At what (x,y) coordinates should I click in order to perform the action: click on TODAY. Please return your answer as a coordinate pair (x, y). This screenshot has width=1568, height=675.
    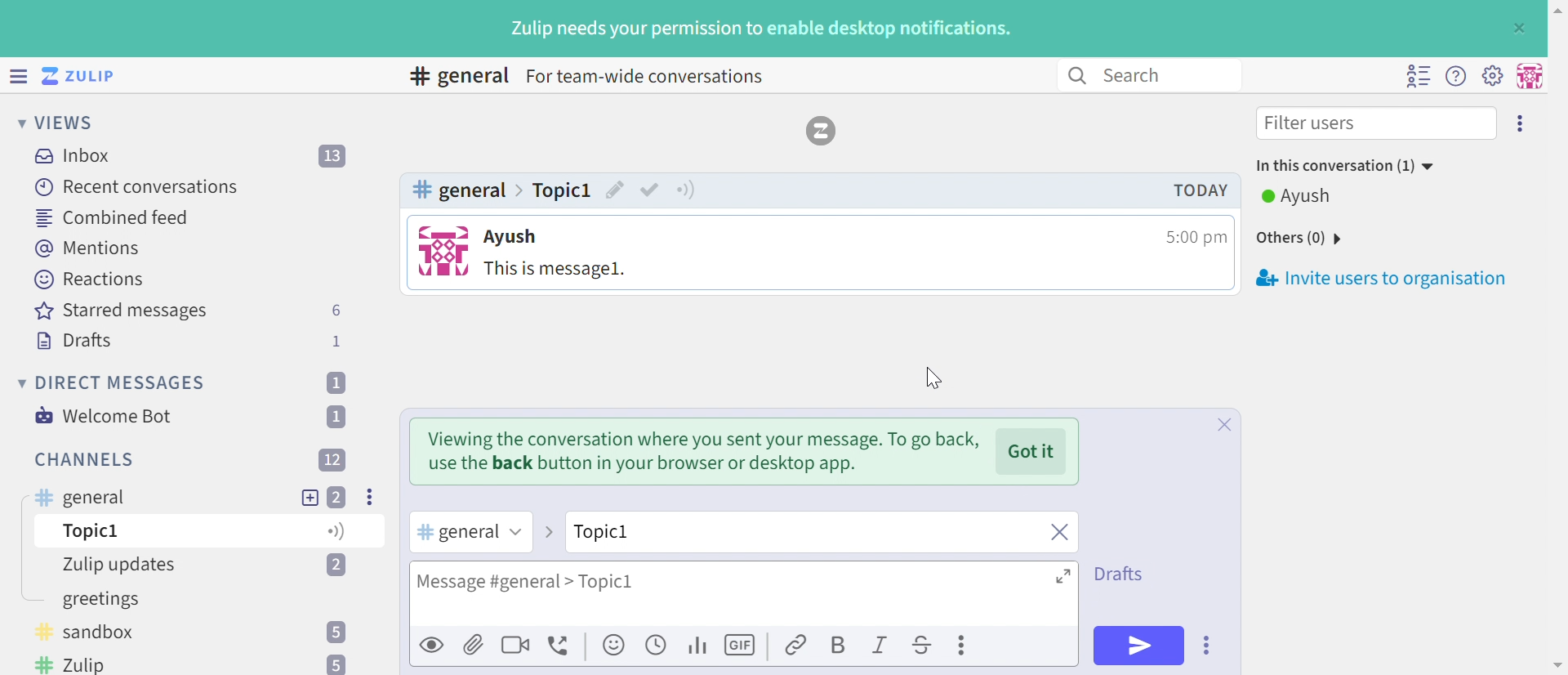
    Looking at the image, I should click on (1204, 189).